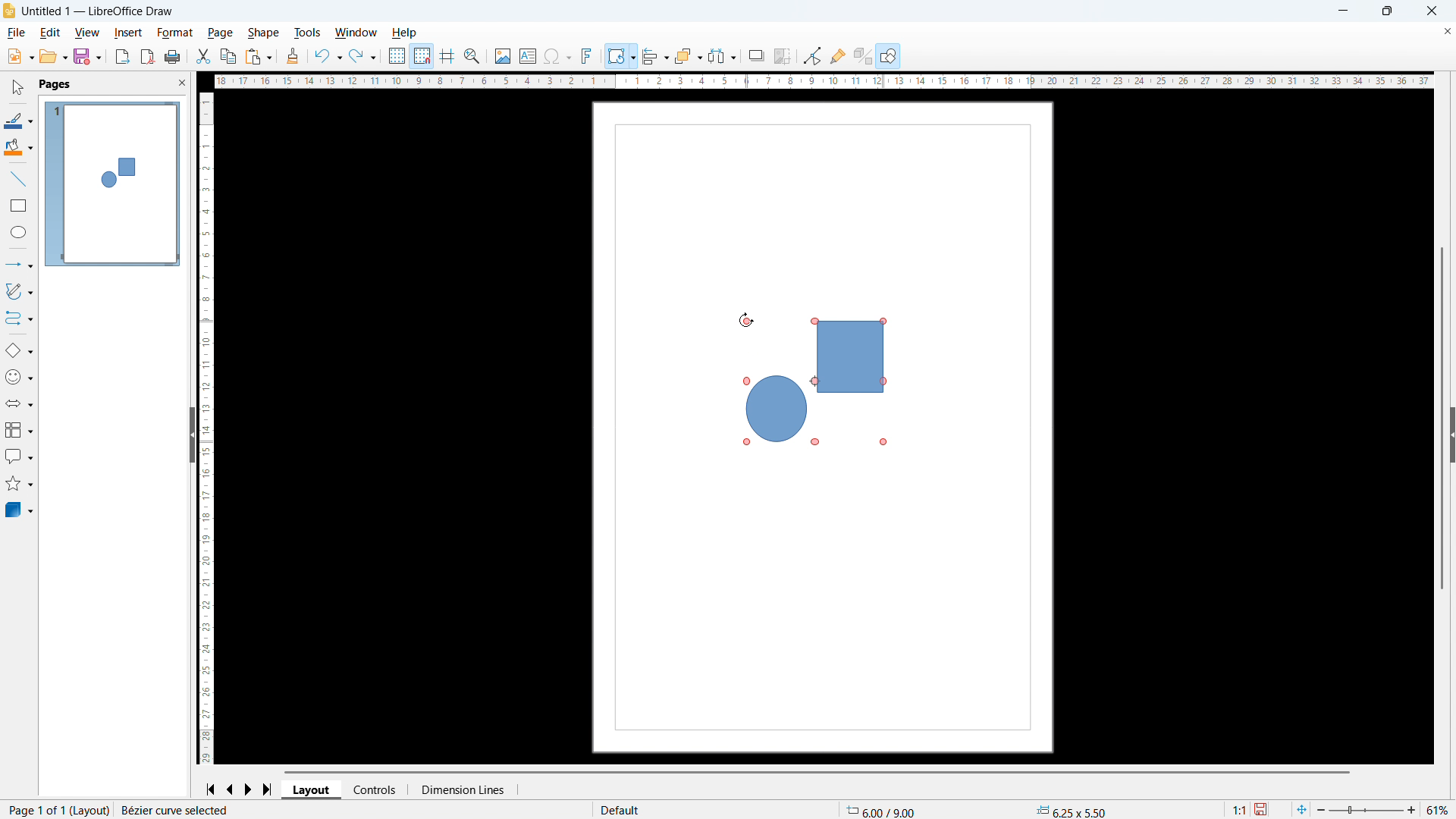 This screenshot has height=819, width=1456. Describe the element at coordinates (19, 402) in the screenshot. I see `Block arrow ` at that location.